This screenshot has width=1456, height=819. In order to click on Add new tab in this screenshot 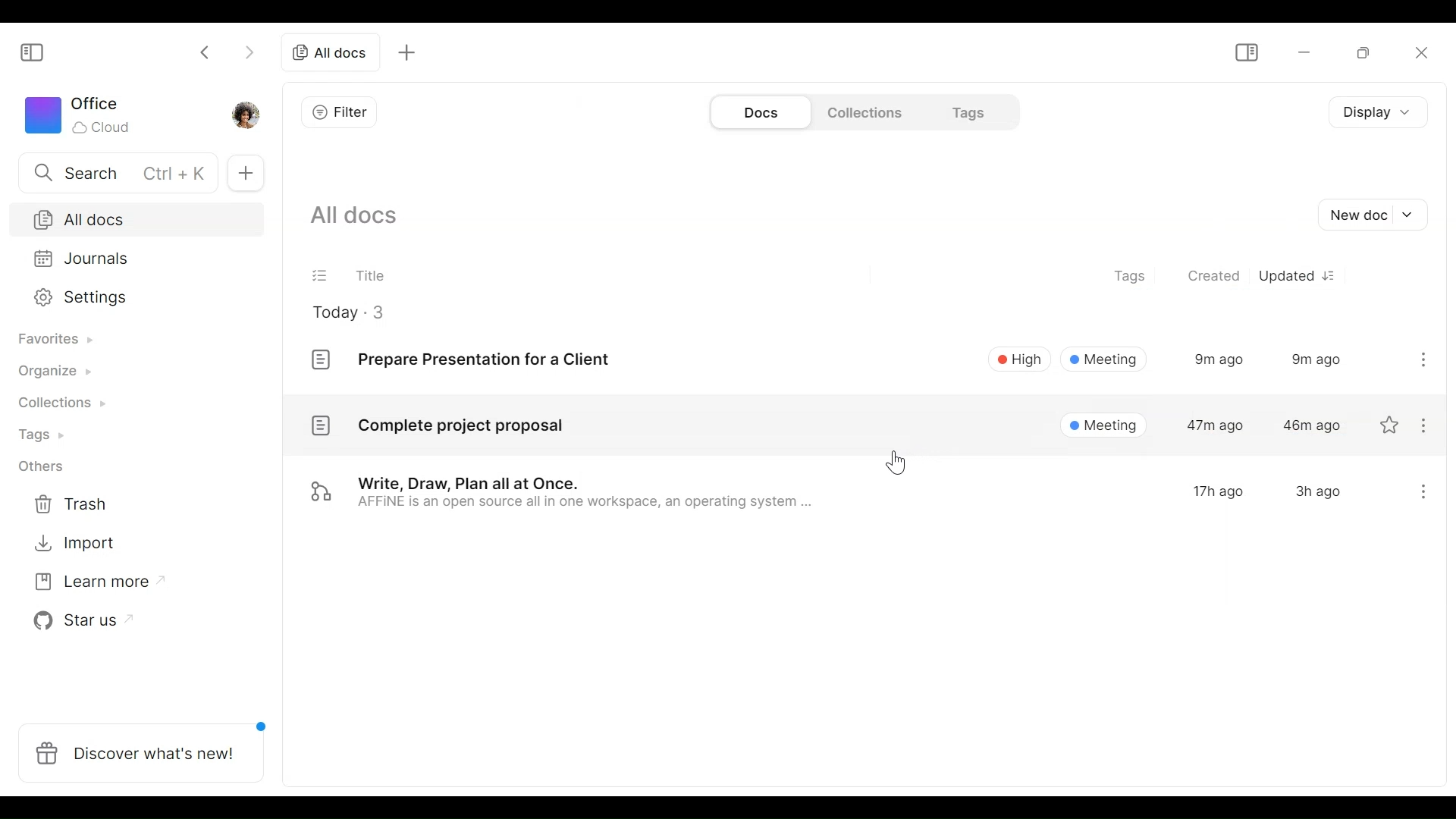, I will do `click(412, 53)`.